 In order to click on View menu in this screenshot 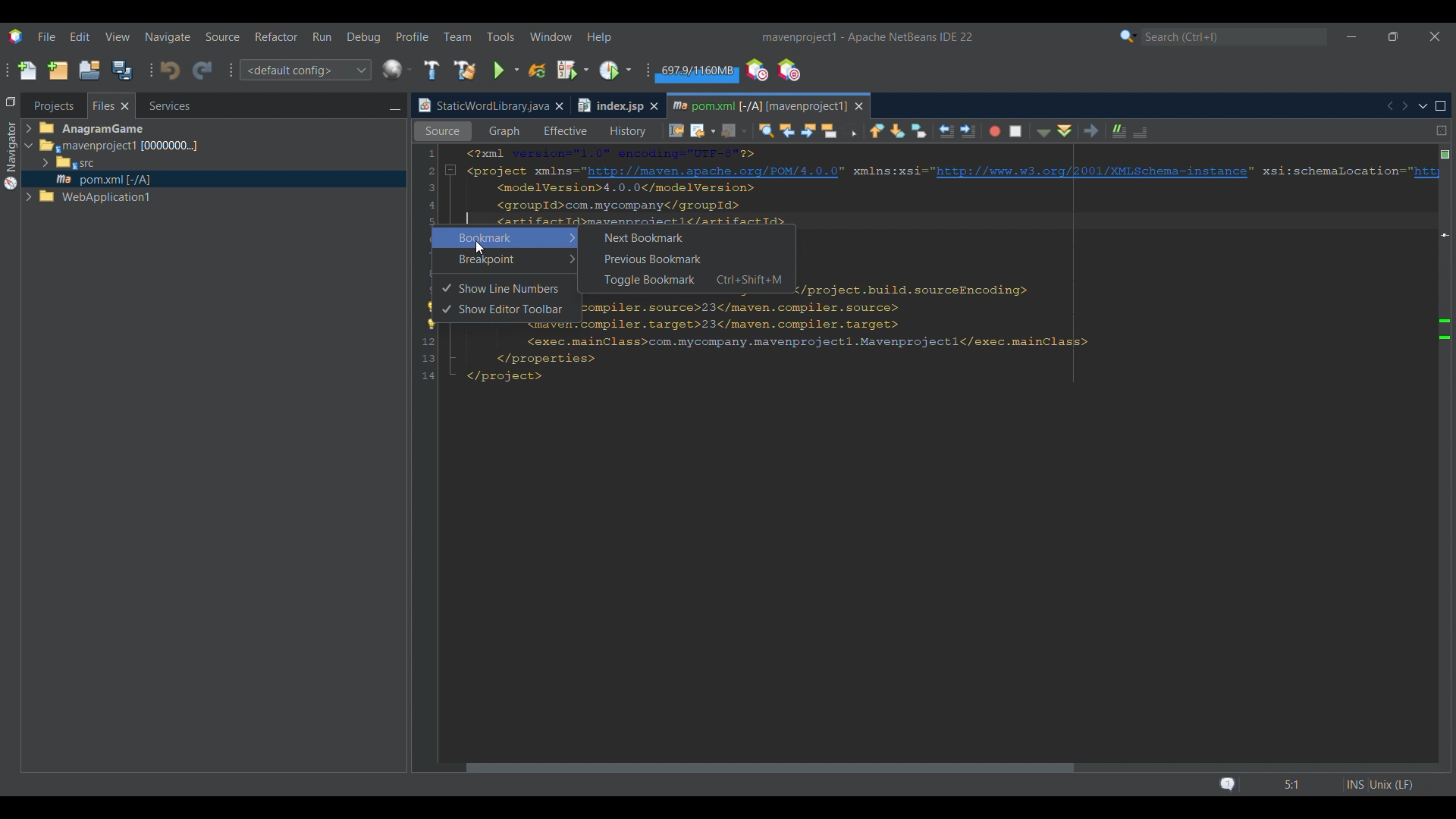, I will do `click(118, 37)`.